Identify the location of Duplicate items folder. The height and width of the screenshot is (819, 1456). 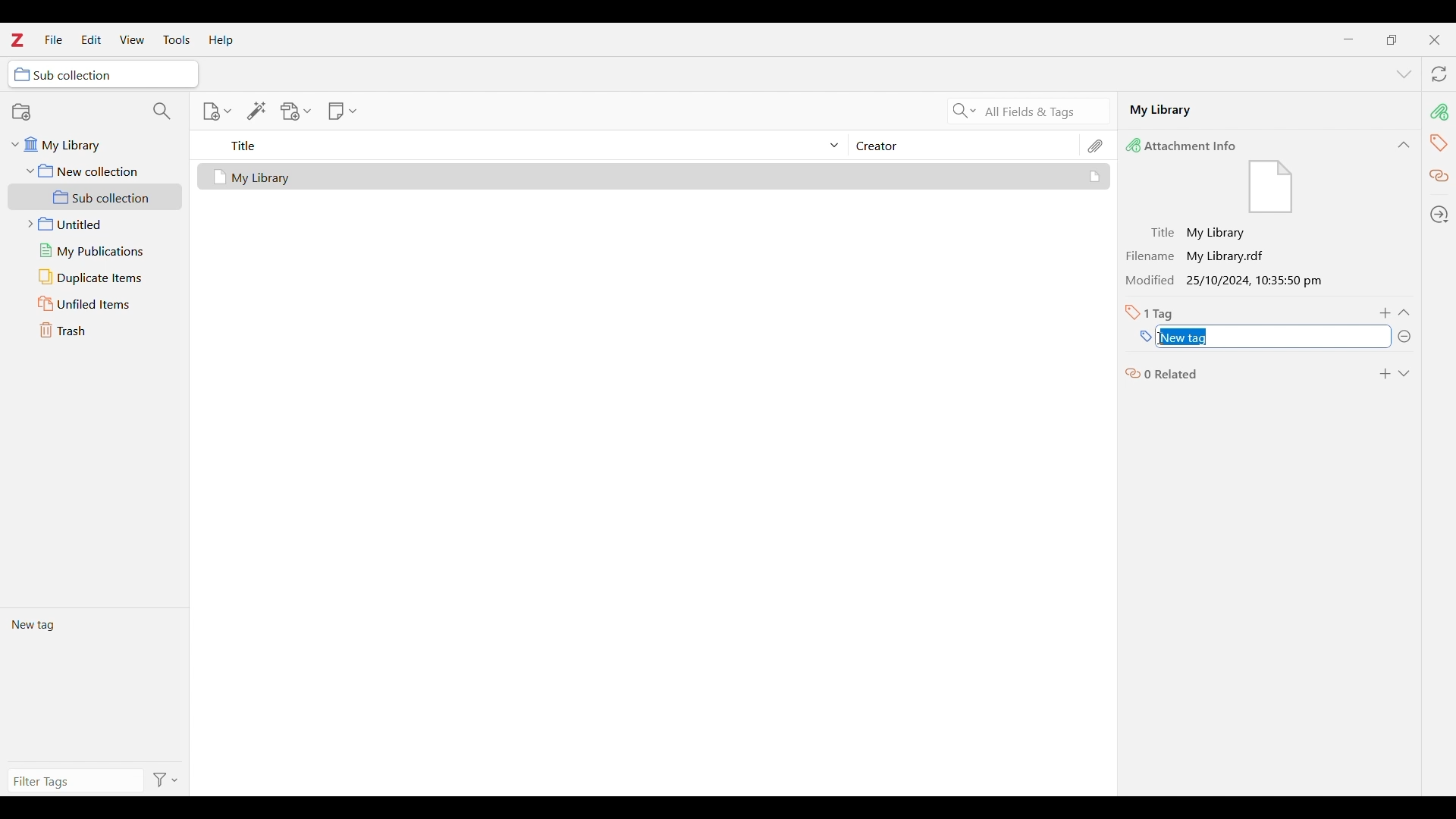
(96, 278).